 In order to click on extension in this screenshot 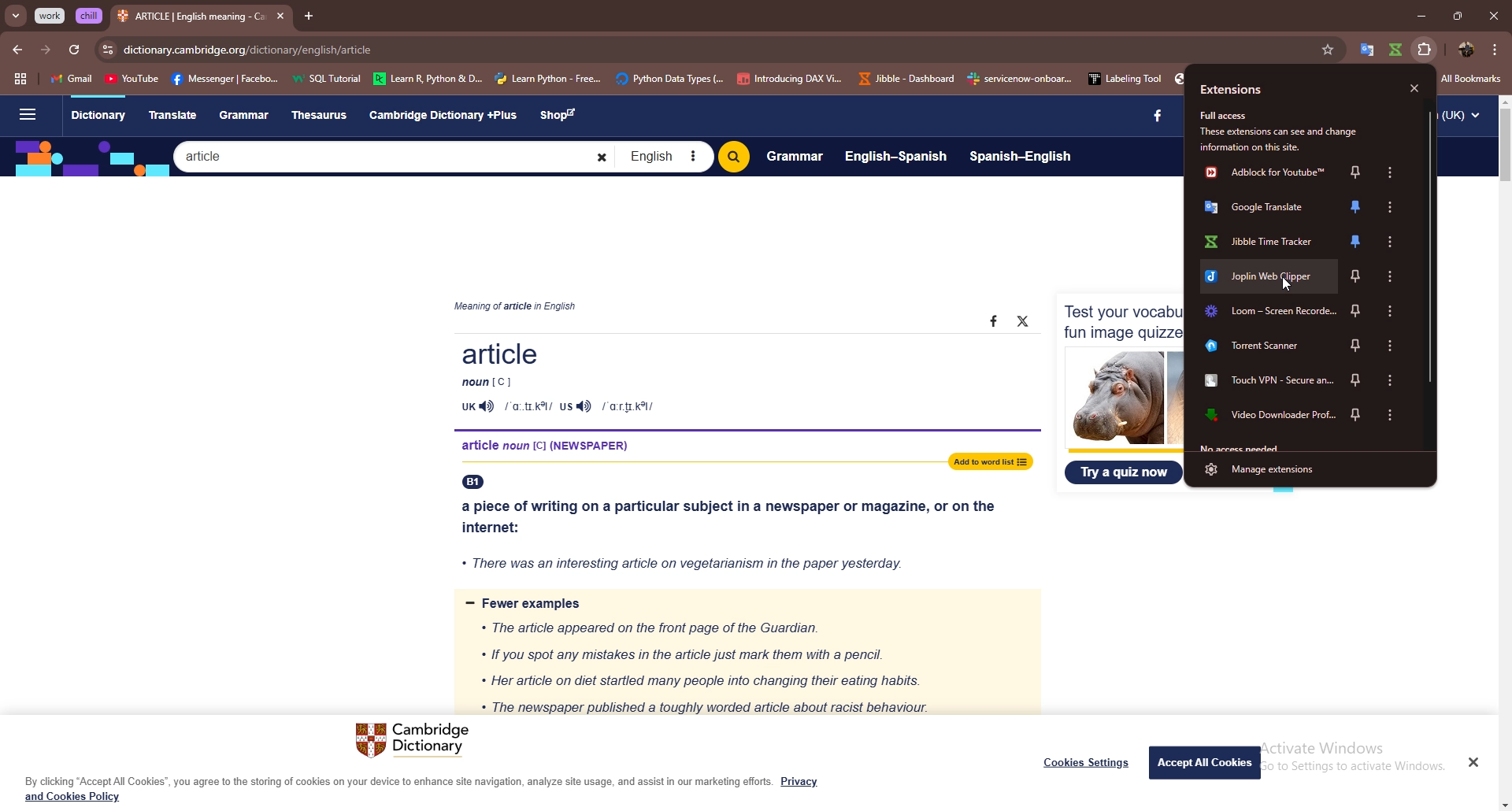, I will do `click(1268, 347)`.